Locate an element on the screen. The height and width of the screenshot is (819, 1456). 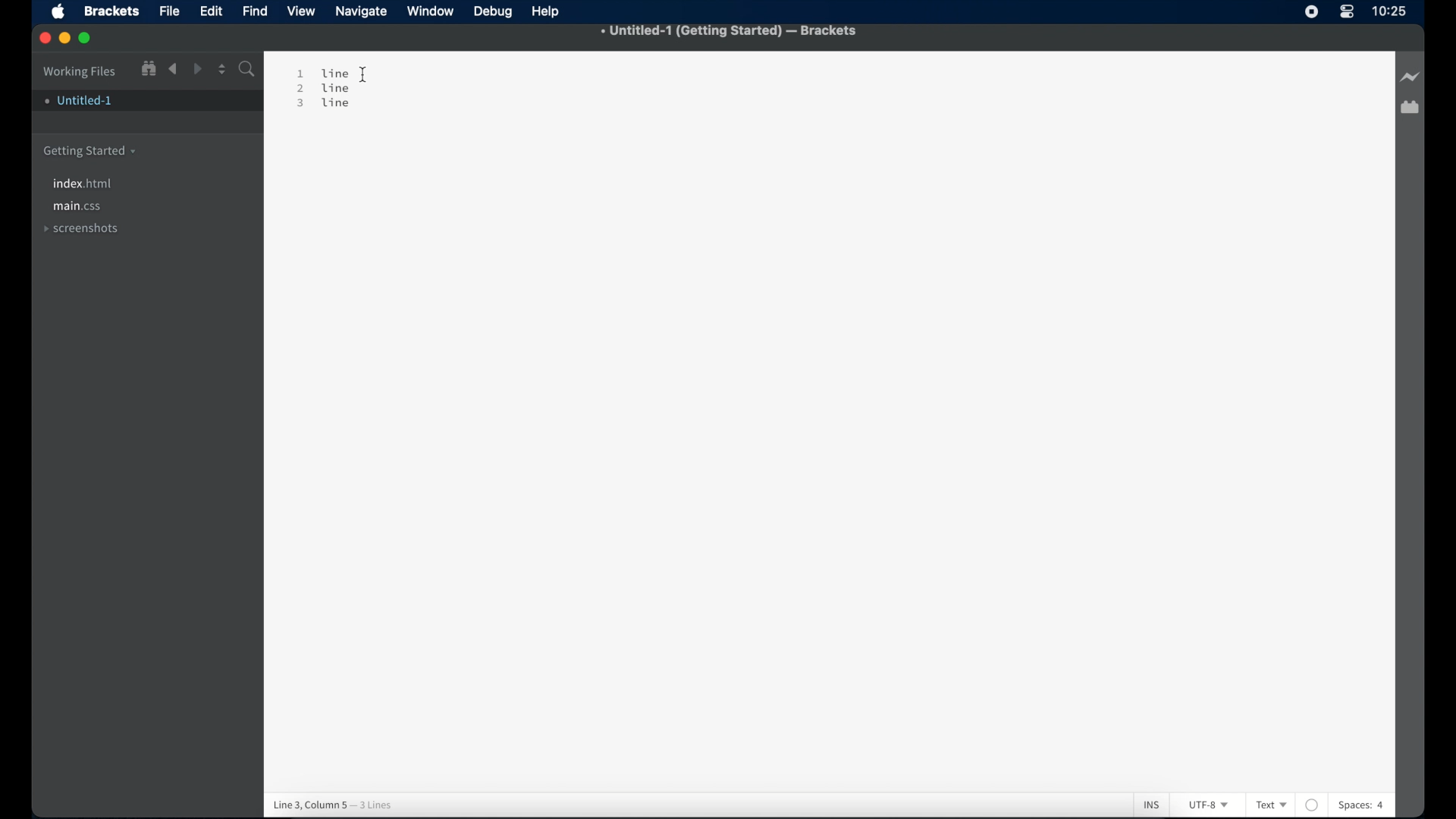
screenshots is located at coordinates (81, 227).